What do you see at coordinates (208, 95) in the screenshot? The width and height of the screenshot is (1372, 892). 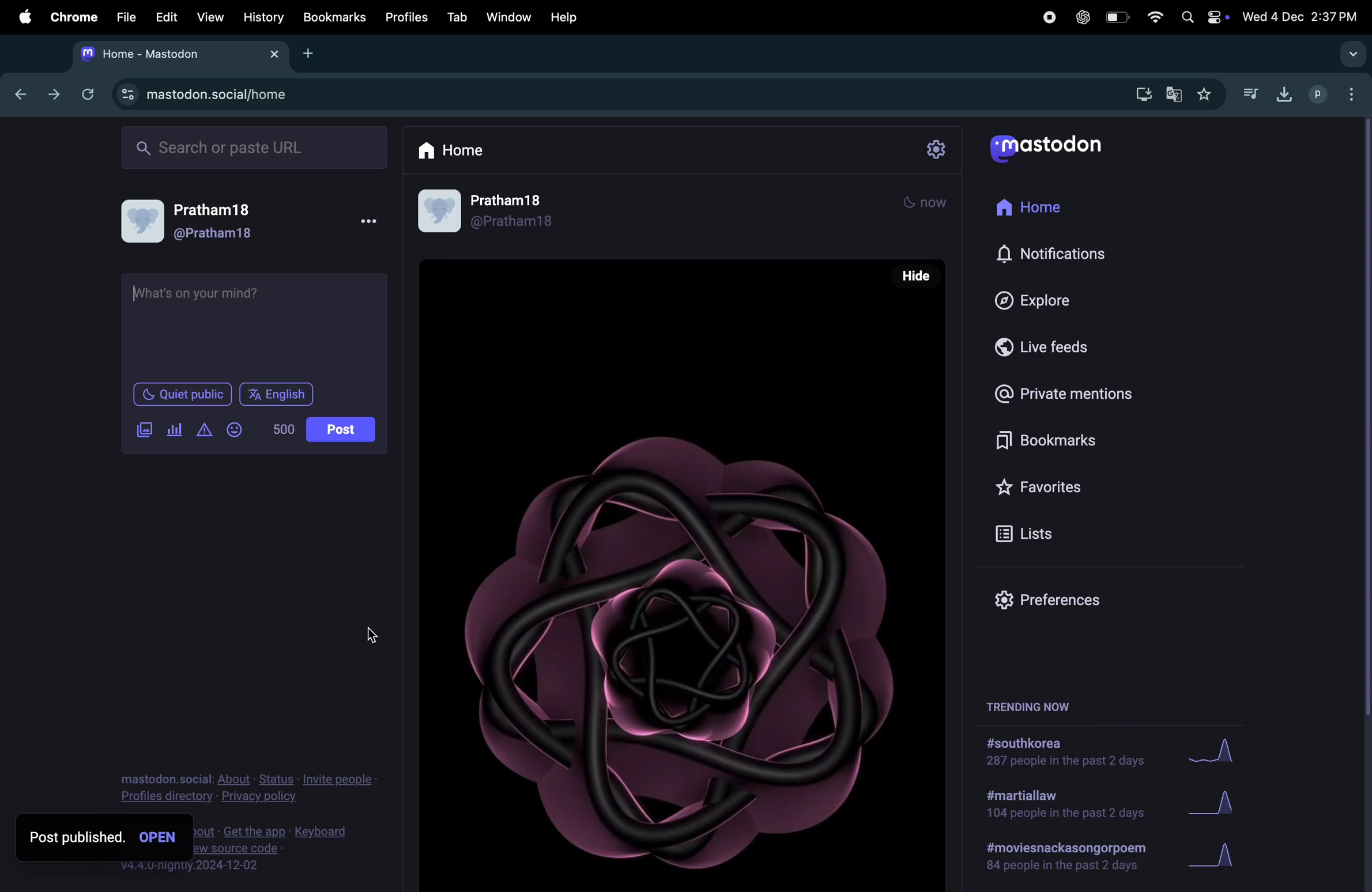 I see `mastodon url` at bounding box center [208, 95].